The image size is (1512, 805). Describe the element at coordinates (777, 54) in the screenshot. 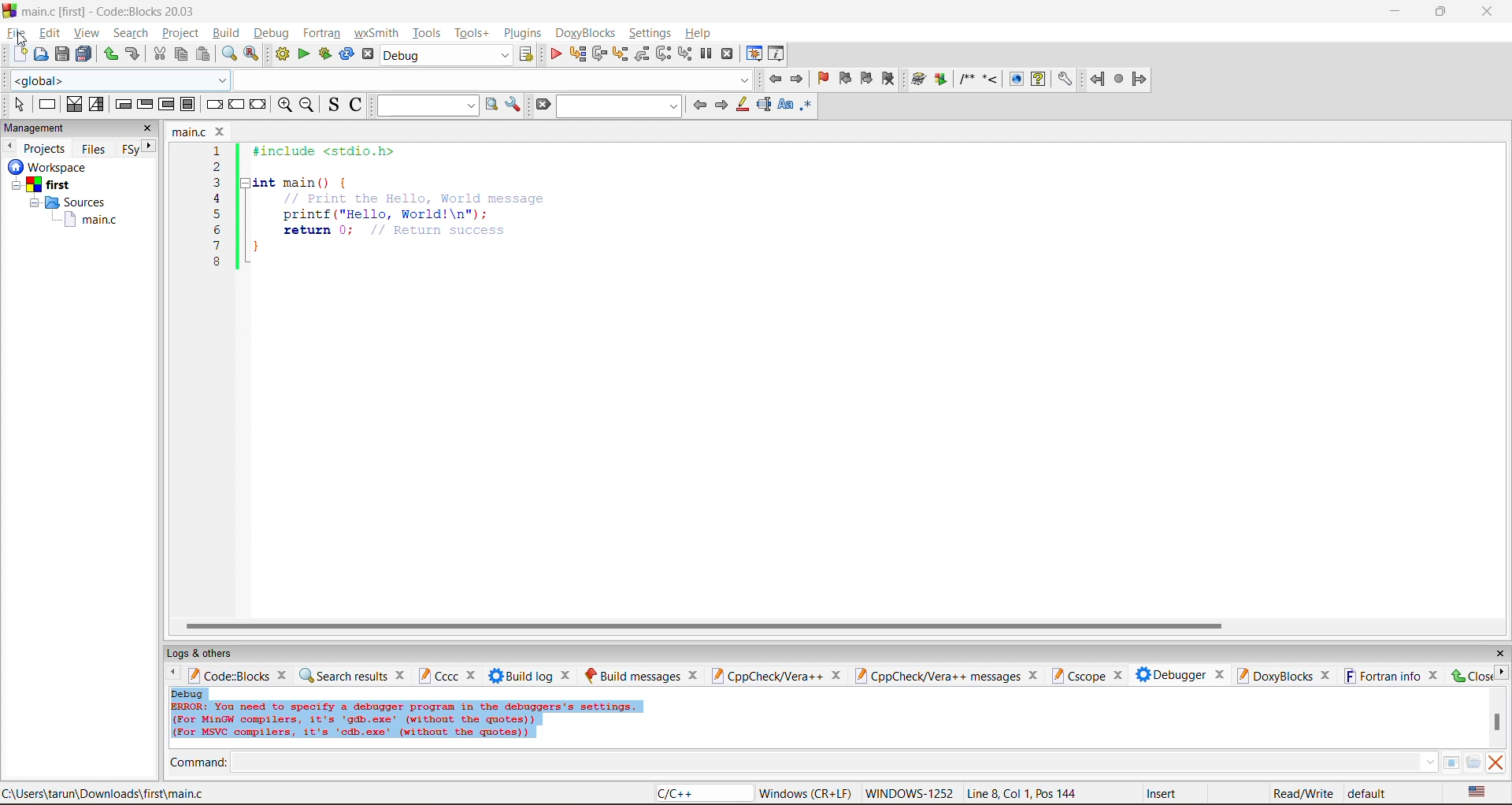

I see `various info` at that location.